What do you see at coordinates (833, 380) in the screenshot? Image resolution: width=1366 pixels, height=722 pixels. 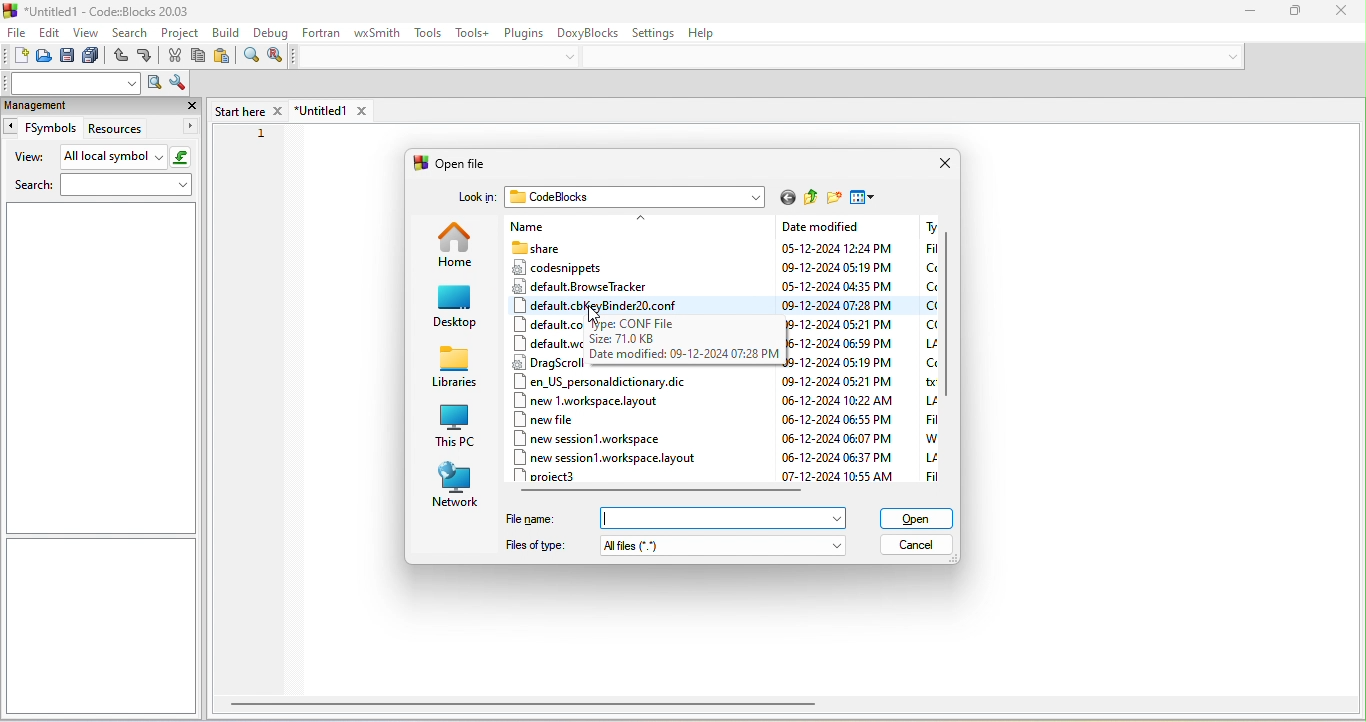 I see `date` at bounding box center [833, 380].